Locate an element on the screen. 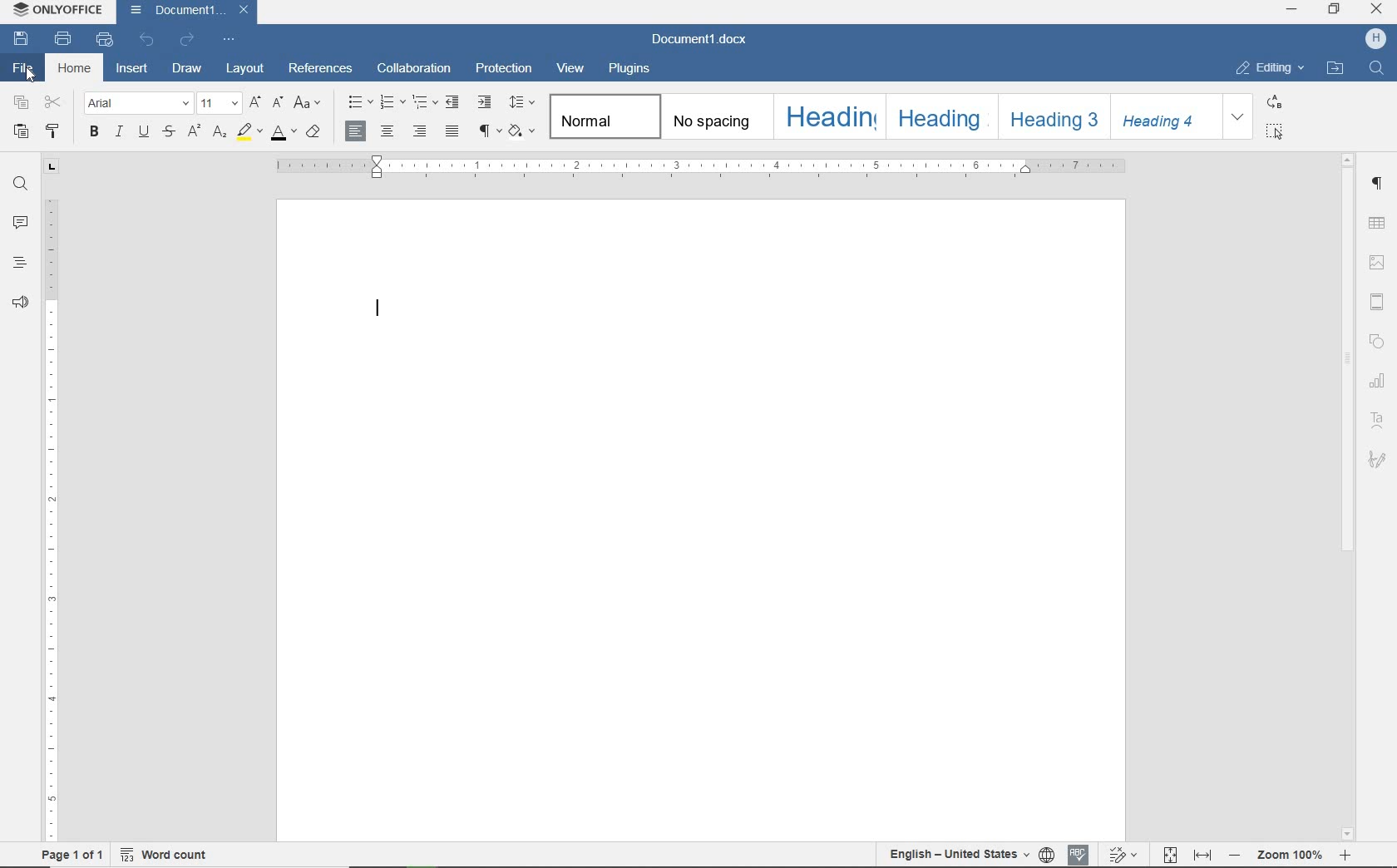 Image resolution: width=1397 pixels, height=868 pixels. font size is located at coordinates (220, 104).